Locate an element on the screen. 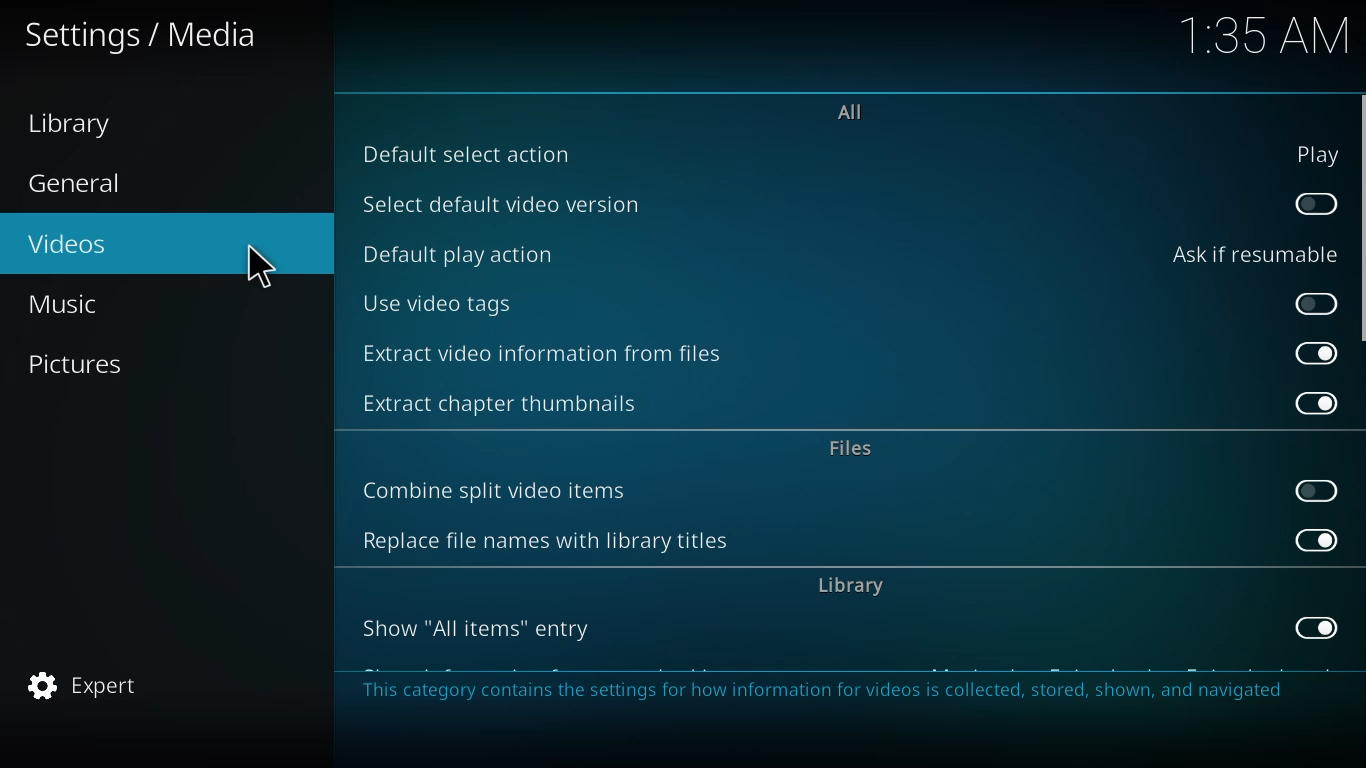  cursor is located at coordinates (256, 268).